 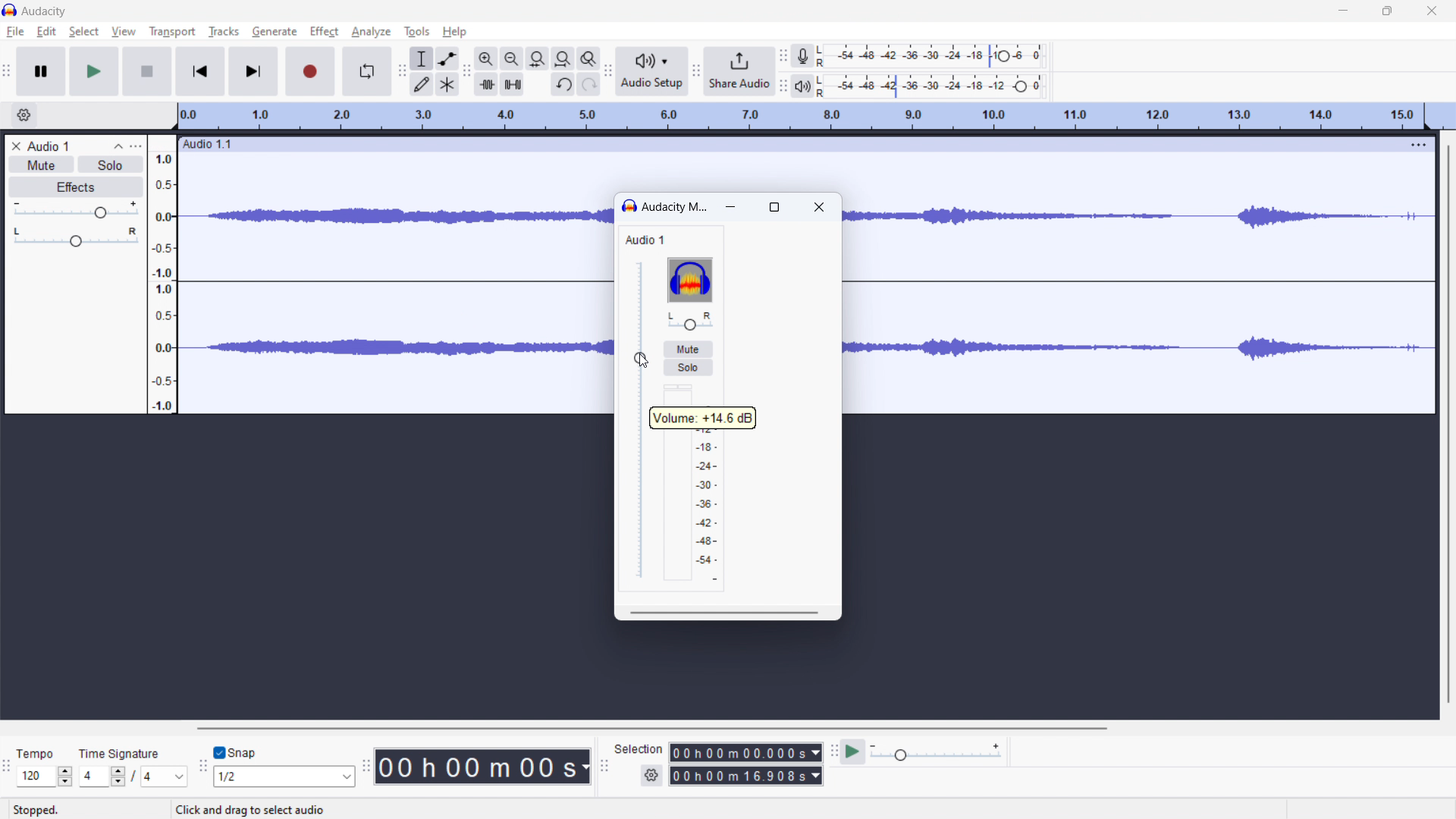 I want to click on playback speed, so click(x=937, y=752).